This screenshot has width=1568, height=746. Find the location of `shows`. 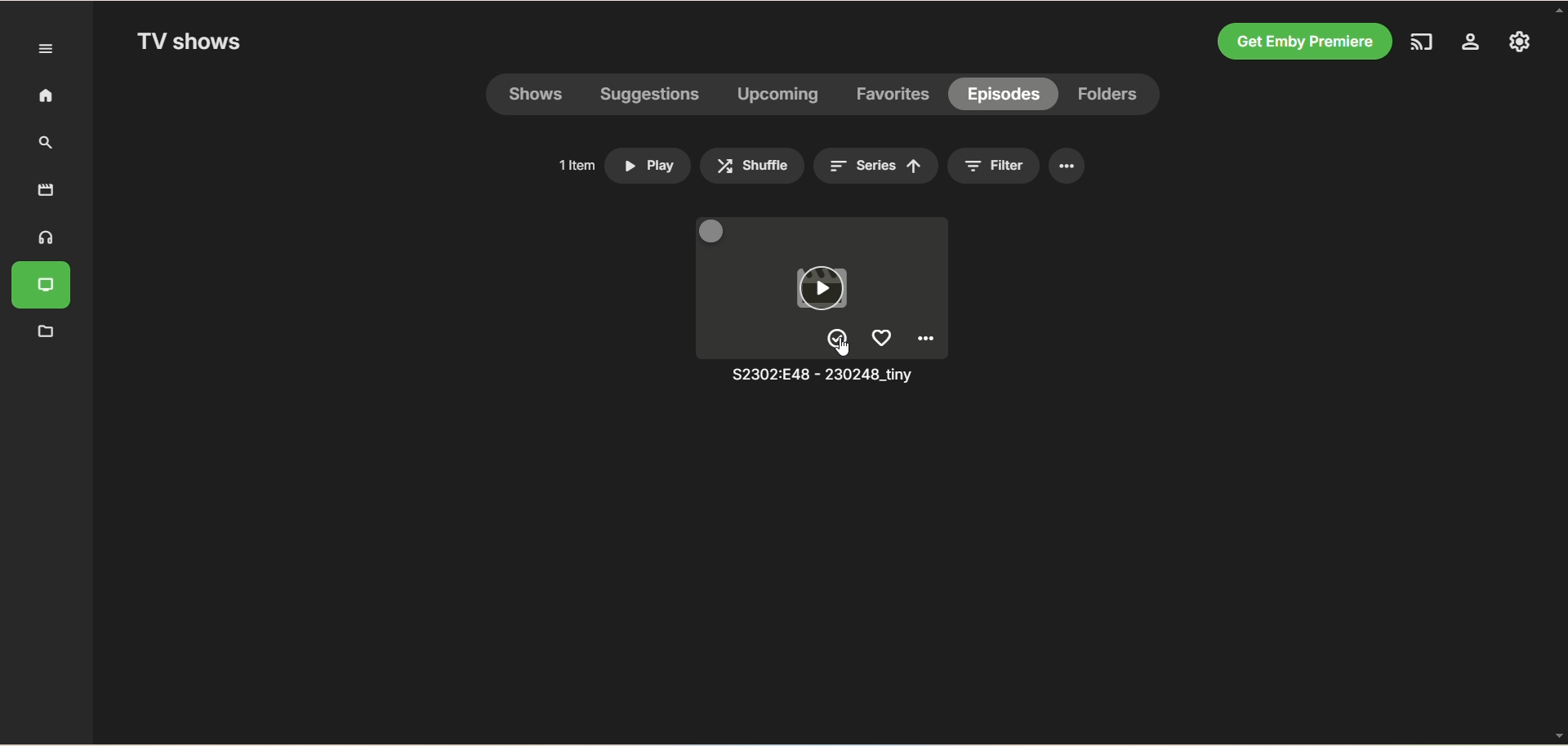

shows is located at coordinates (541, 96).